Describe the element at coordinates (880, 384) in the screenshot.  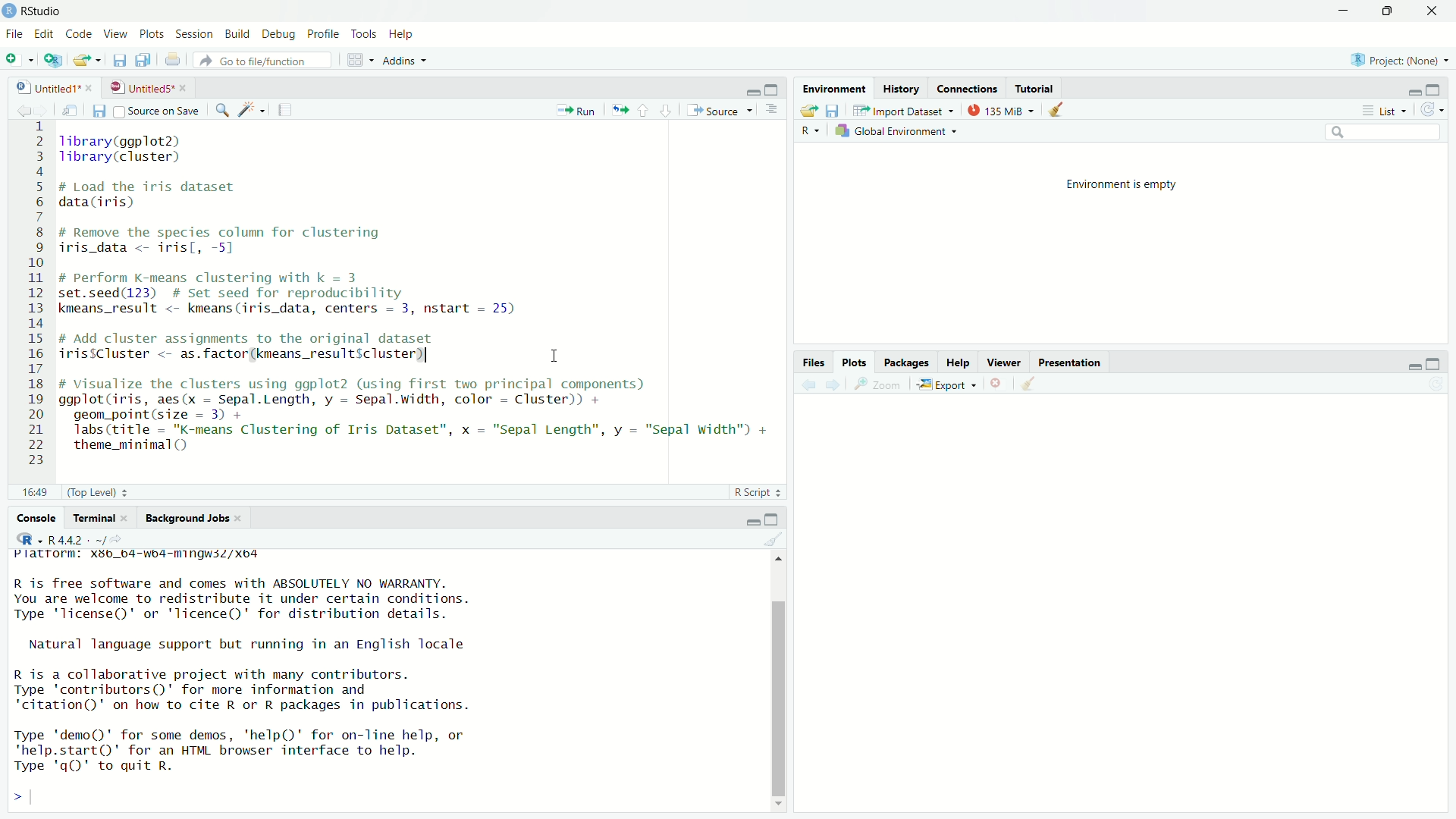
I see `view a larger version of the plot in new window` at that location.